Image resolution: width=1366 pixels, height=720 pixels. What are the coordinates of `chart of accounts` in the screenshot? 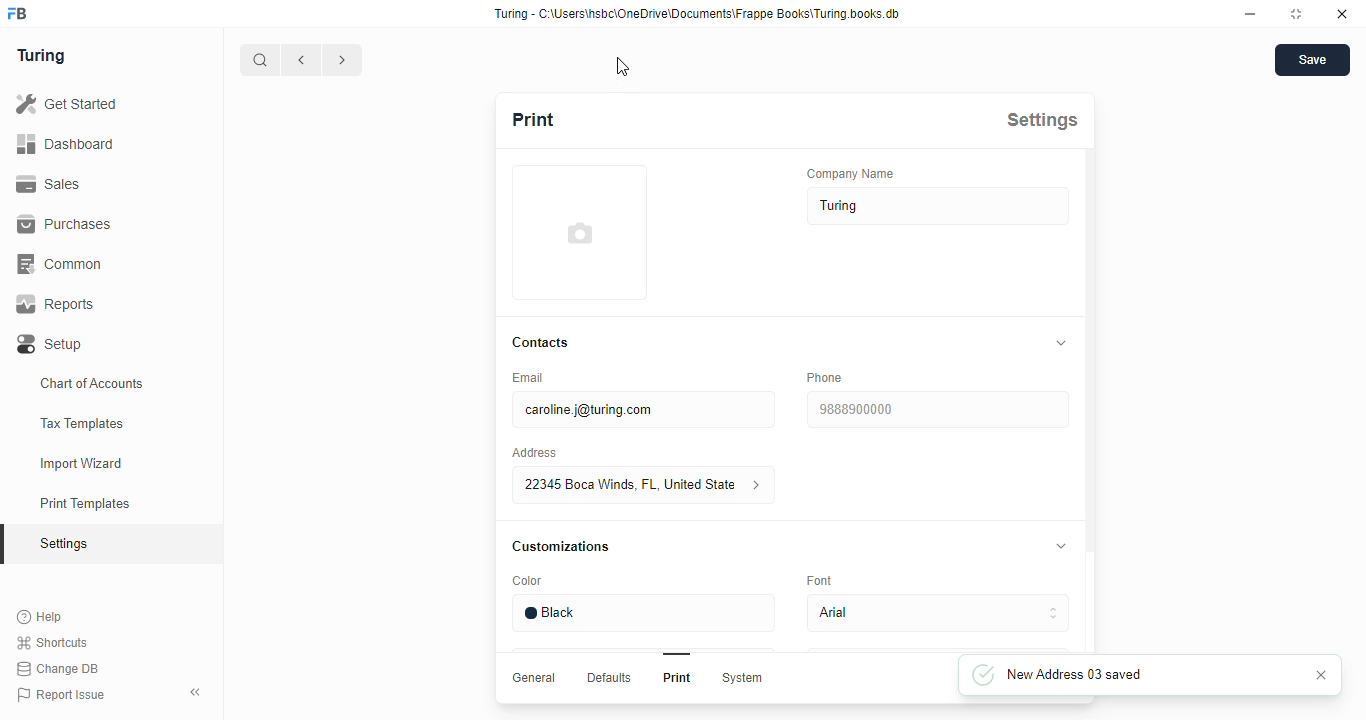 It's located at (92, 383).